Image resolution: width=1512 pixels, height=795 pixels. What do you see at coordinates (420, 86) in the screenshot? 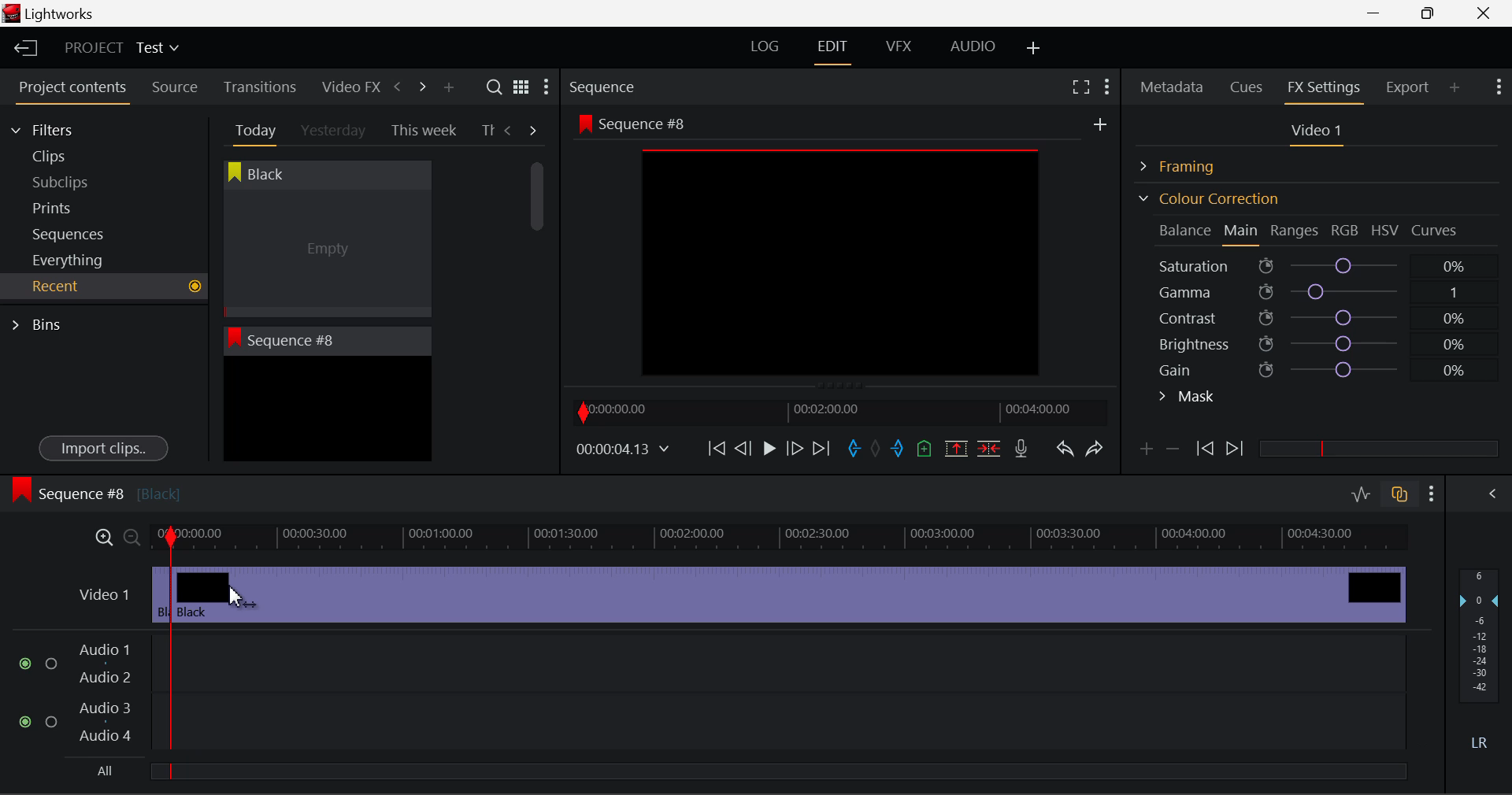
I see `Next Panel` at bounding box center [420, 86].